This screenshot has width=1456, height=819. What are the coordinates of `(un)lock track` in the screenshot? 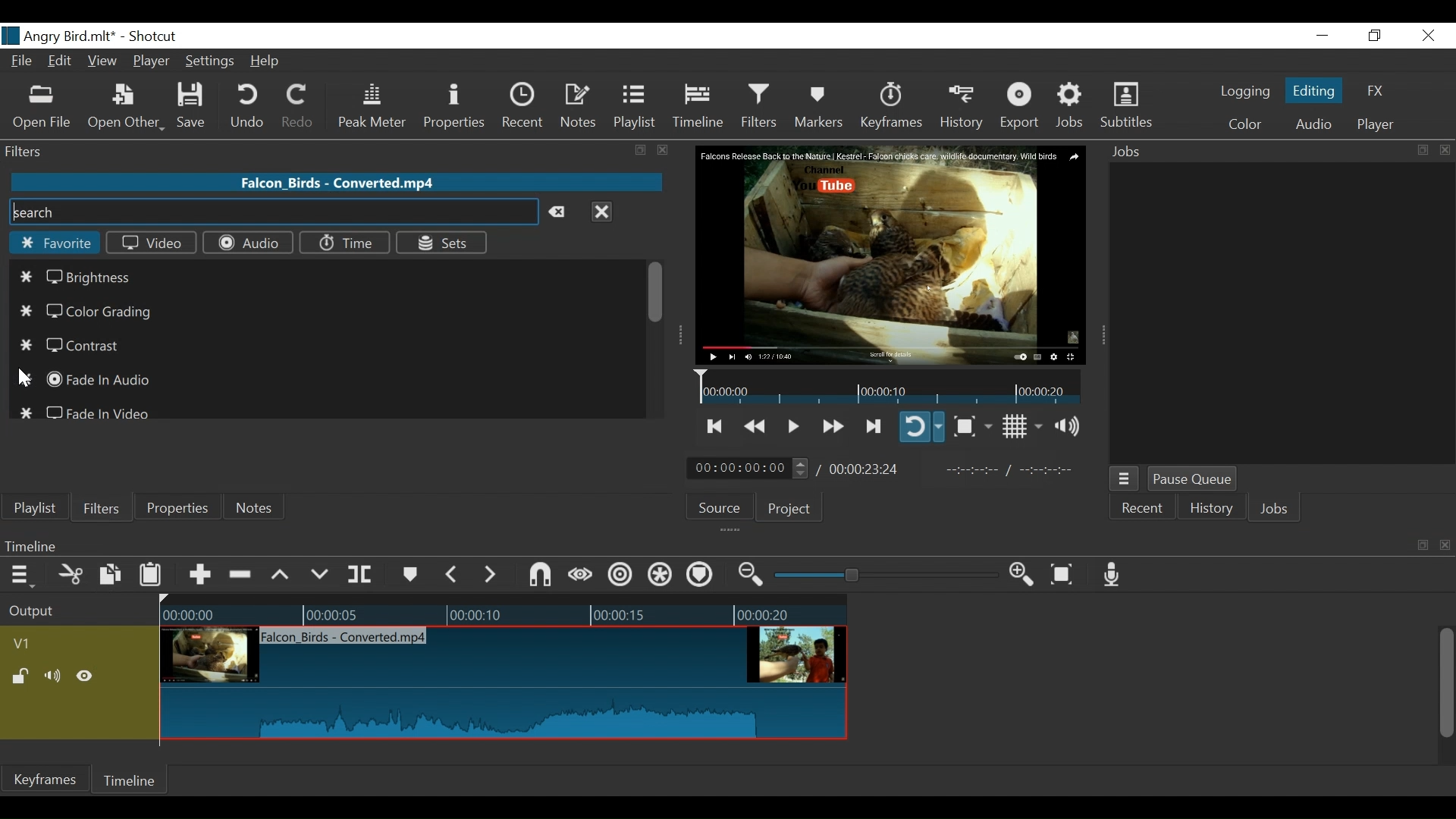 It's located at (24, 677).